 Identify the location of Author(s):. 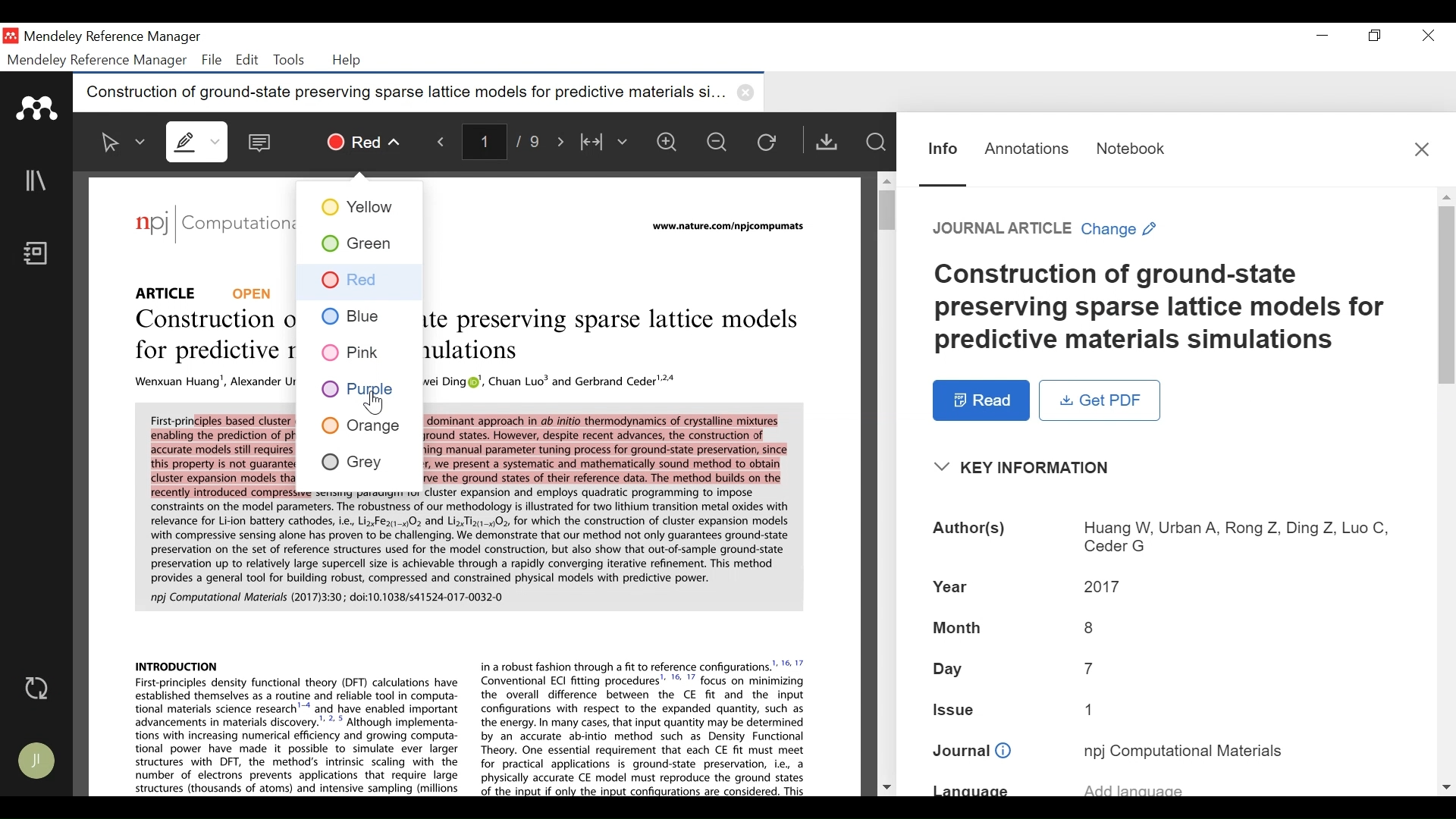
(968, 532).